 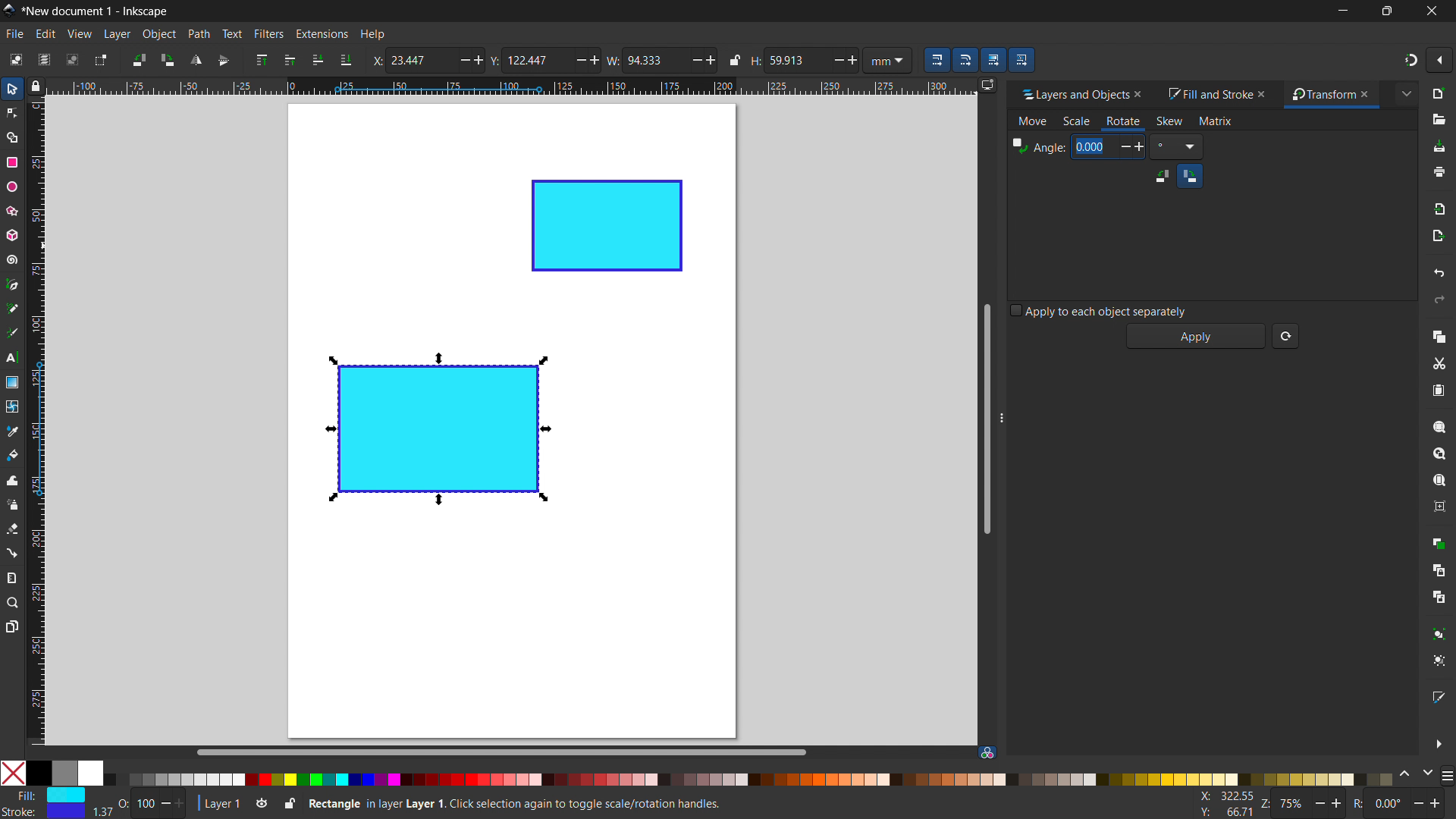 What do you see at coordinates (1222, 797) in the screenshot?
I see `X: 100.77` at bounding box center [1222, 797].